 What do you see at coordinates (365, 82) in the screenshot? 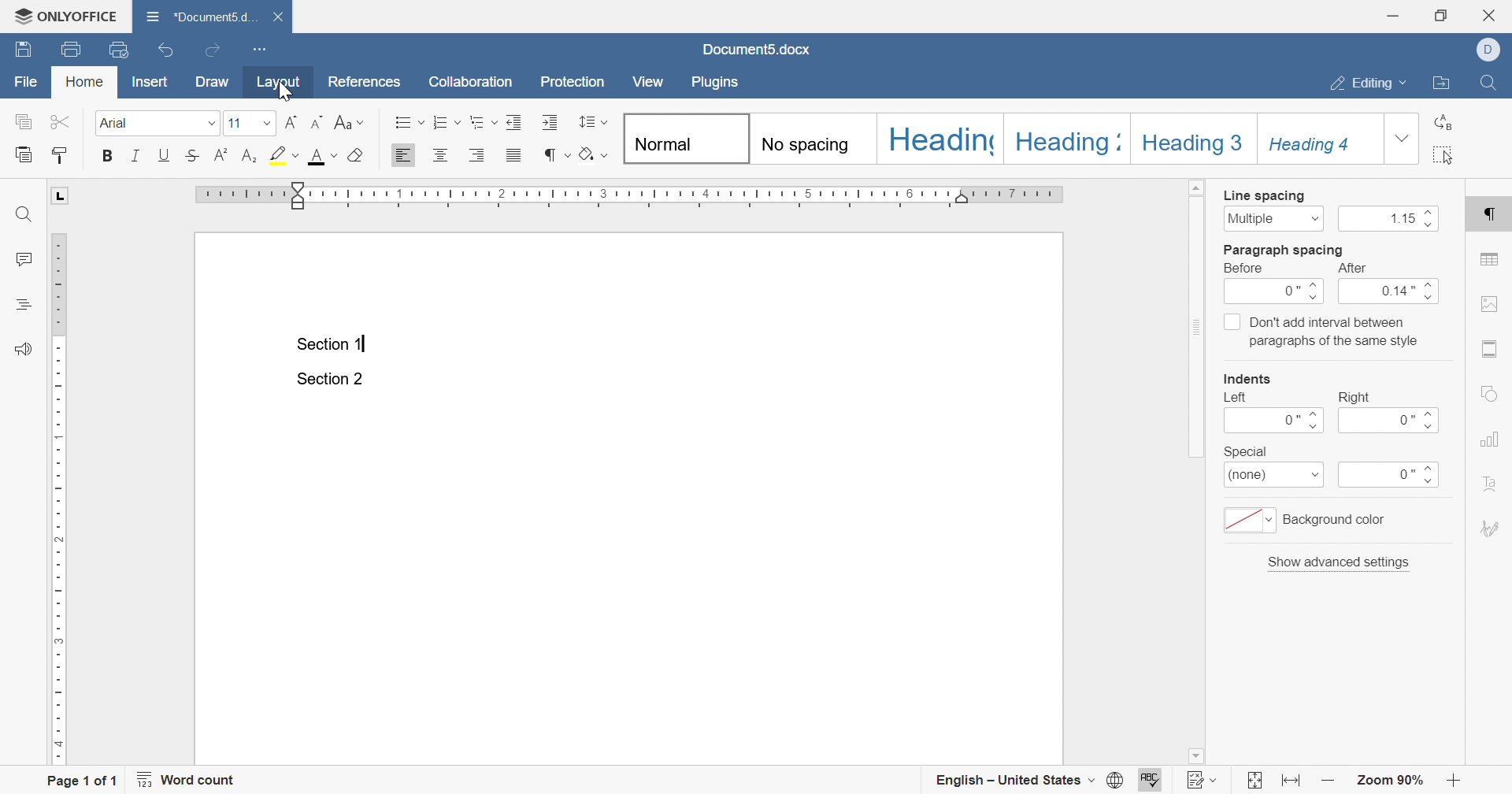
I see `references` at bounding box center [365, 82].